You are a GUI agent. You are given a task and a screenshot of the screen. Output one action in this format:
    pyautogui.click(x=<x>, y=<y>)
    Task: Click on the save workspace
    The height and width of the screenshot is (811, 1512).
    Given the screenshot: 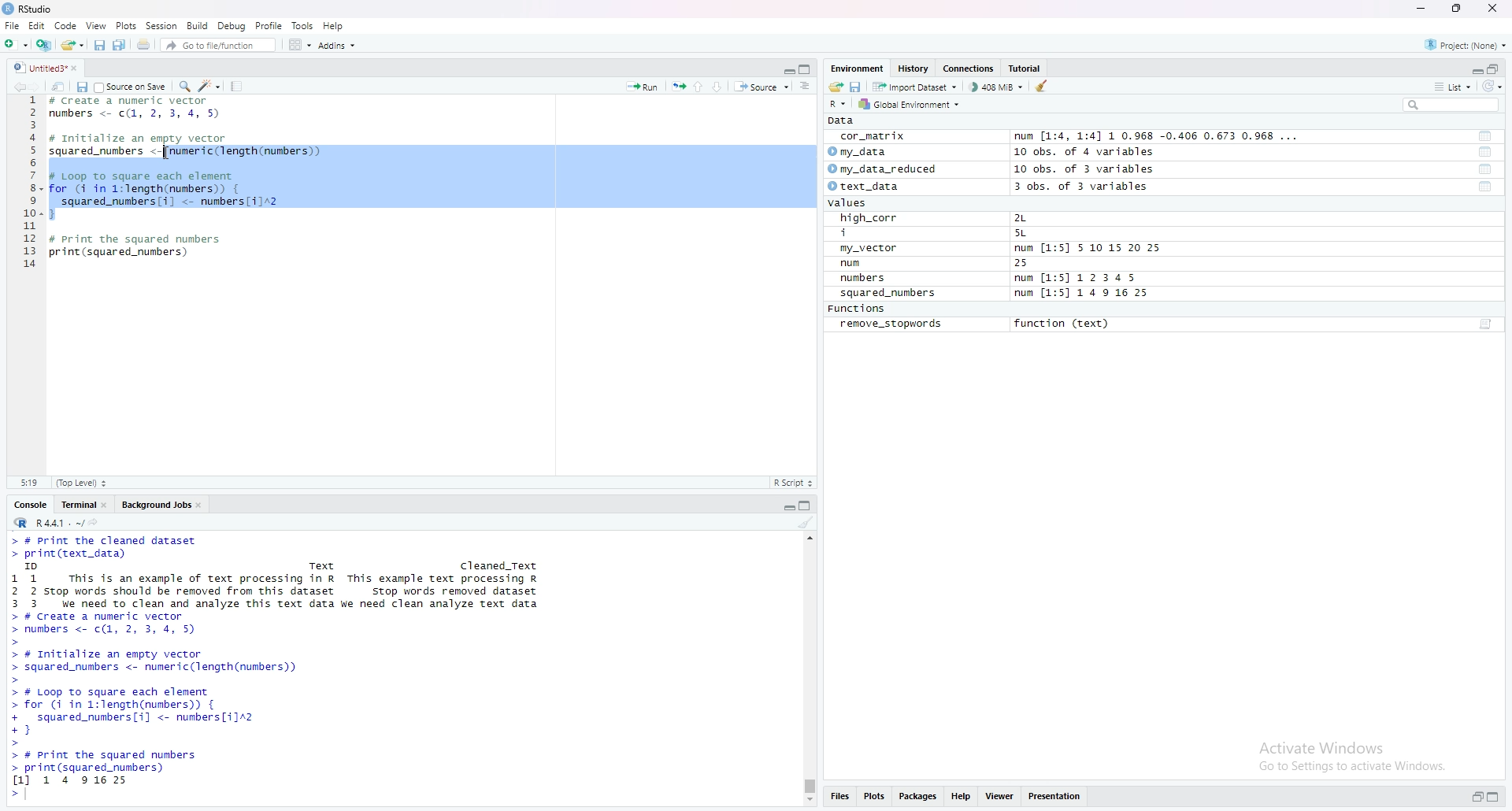 What is the action you would take?
    pyautogui.click(x=856, y=86)
    